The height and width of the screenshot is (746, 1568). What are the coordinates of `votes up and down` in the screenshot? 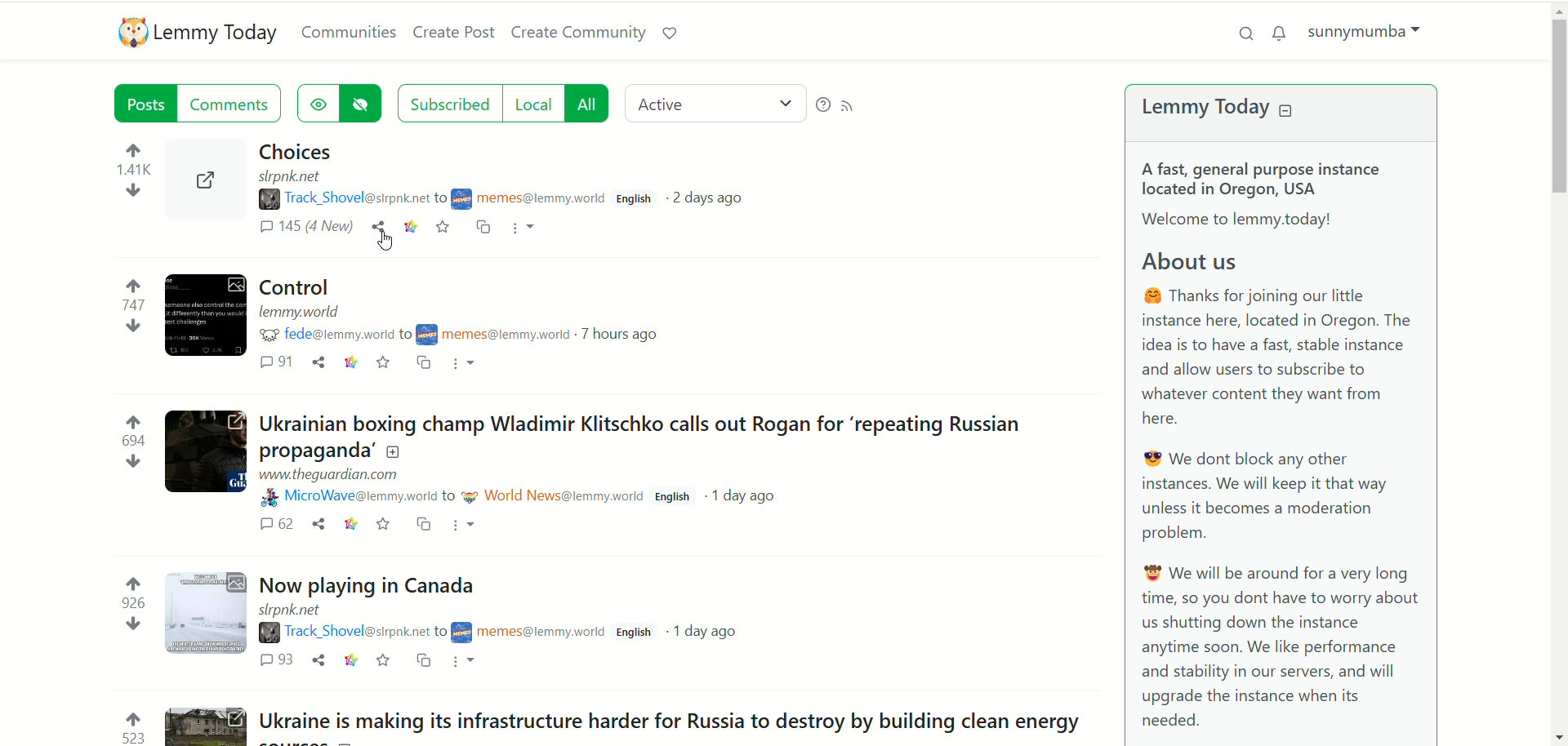 It's located at (130, 442).